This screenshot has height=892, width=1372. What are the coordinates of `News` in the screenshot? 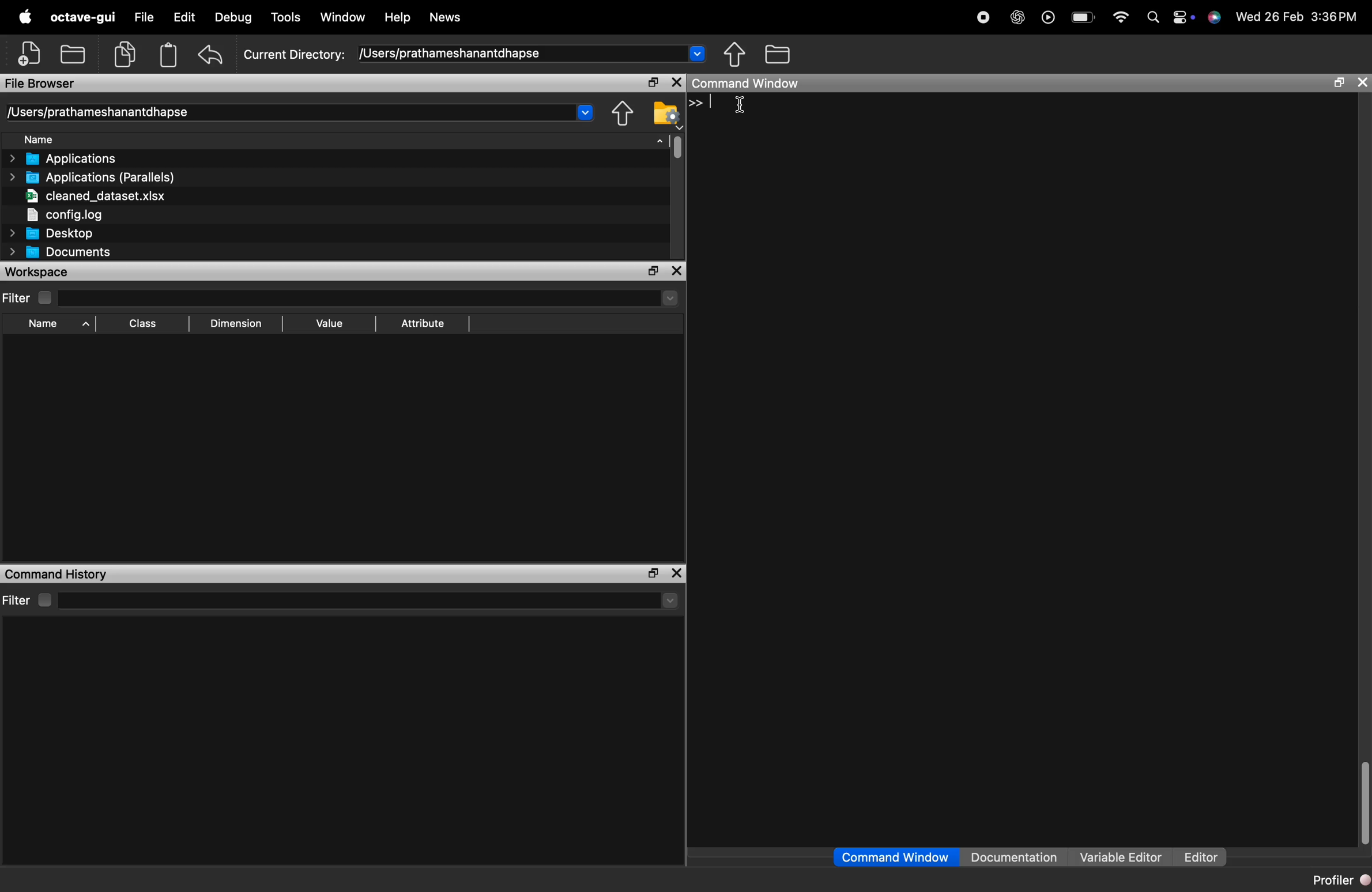 It's located at (444, 17).